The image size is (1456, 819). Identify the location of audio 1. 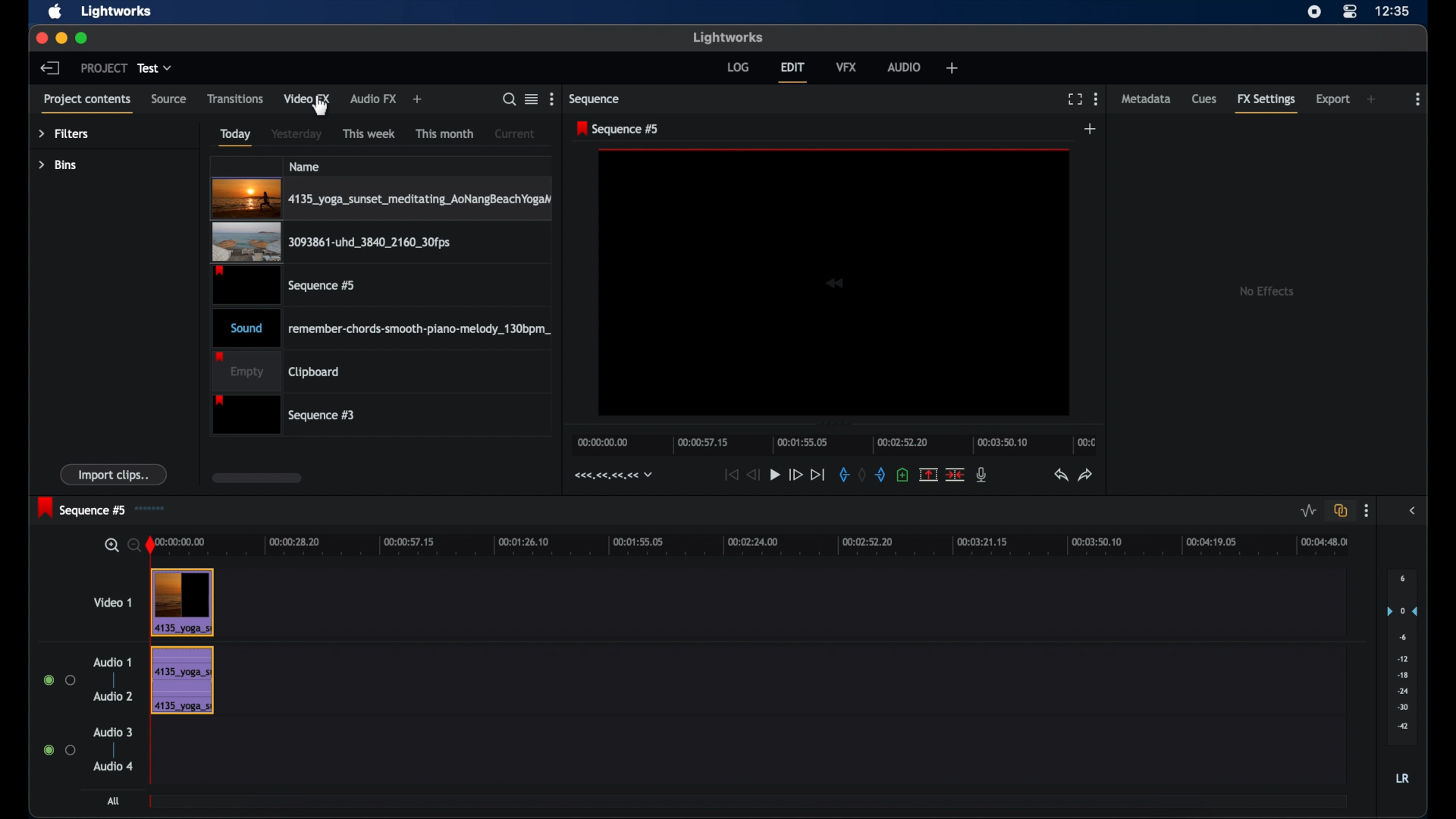
(112, 663).